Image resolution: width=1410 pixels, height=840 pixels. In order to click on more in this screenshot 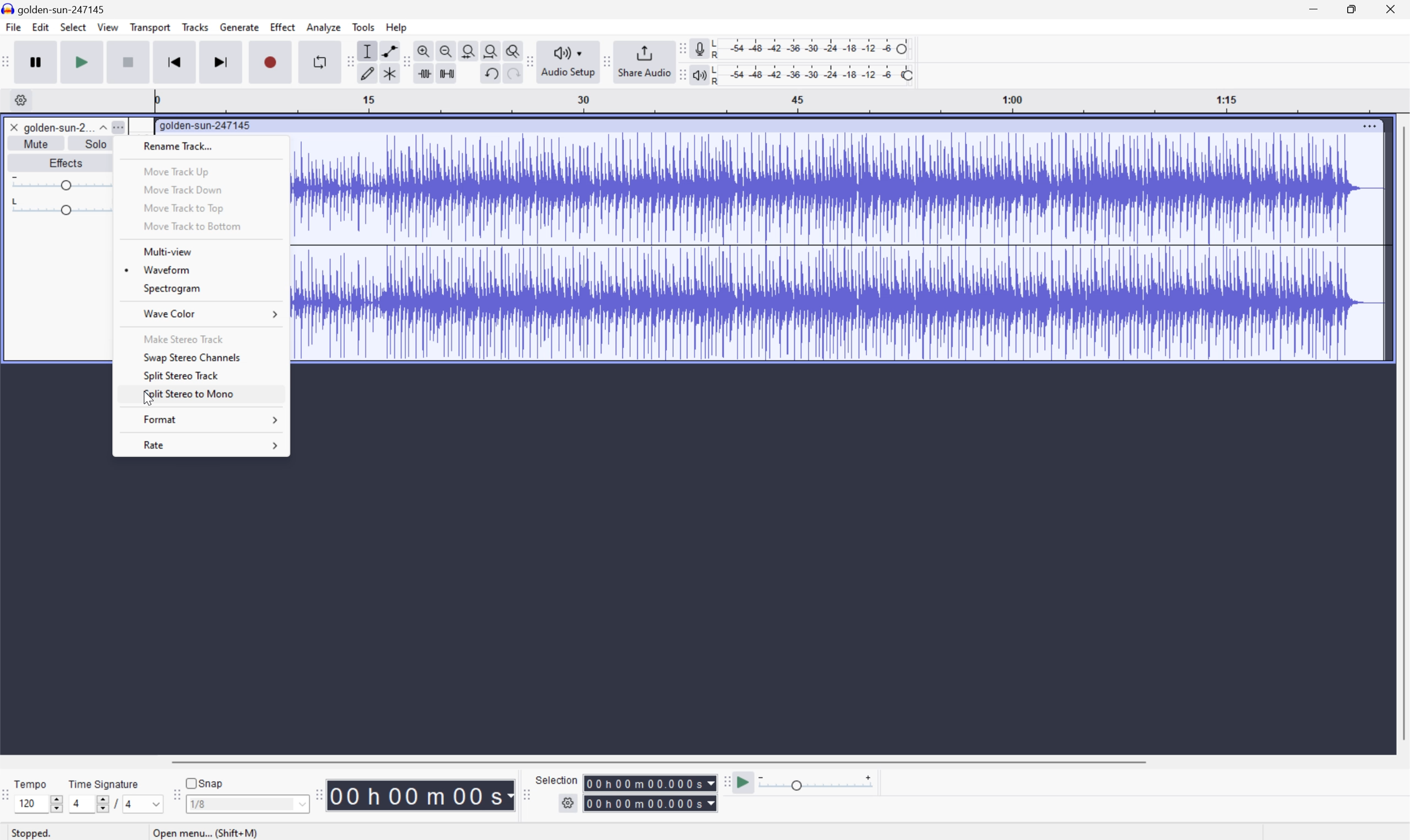, I will do `click(123, 127)`.